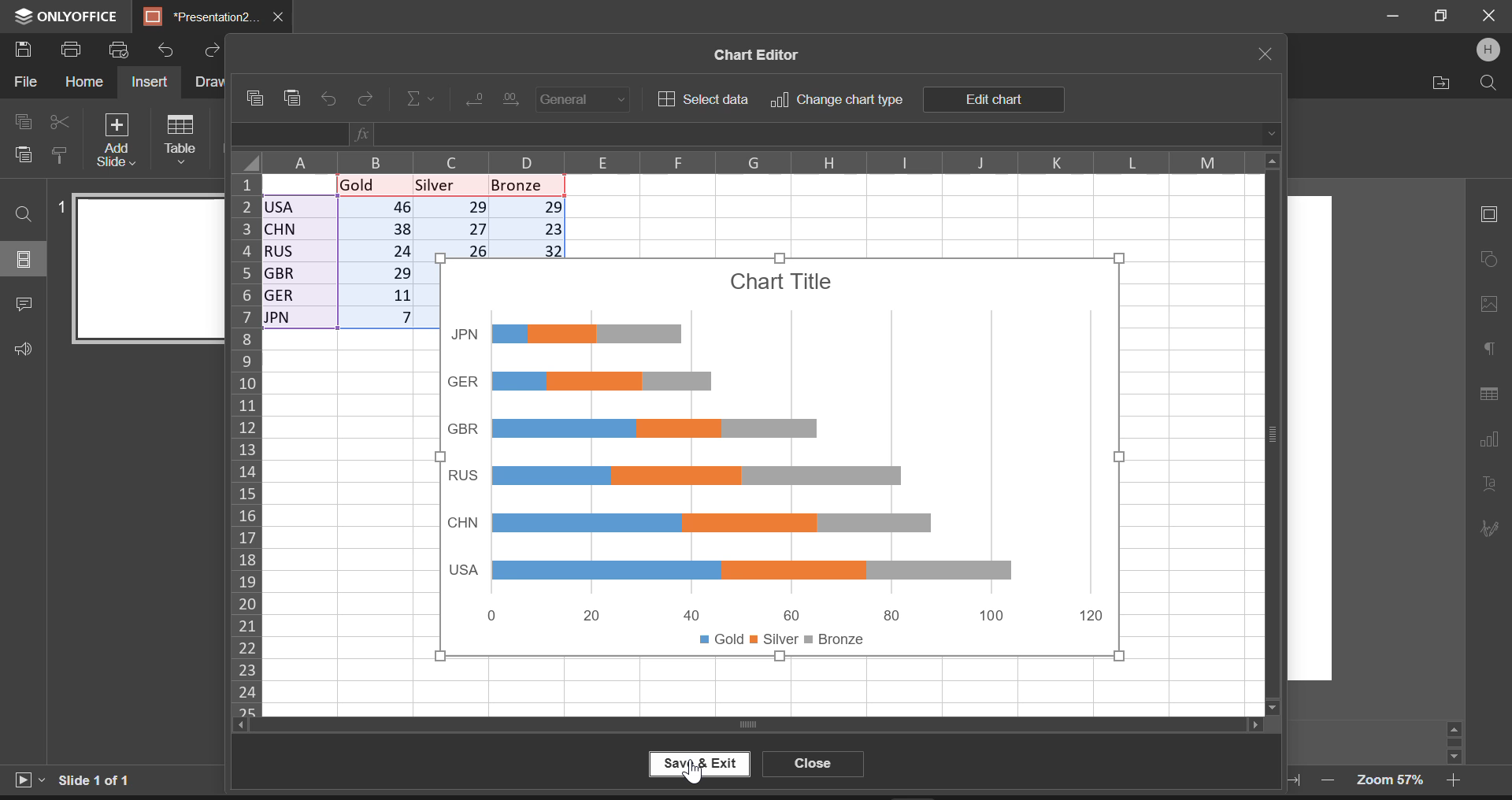 This screenshot has width=1512, height=800. What do you see at coordinates (166, 46) in the screenshot?
I see `Undo` at bounding box center [166, 46].